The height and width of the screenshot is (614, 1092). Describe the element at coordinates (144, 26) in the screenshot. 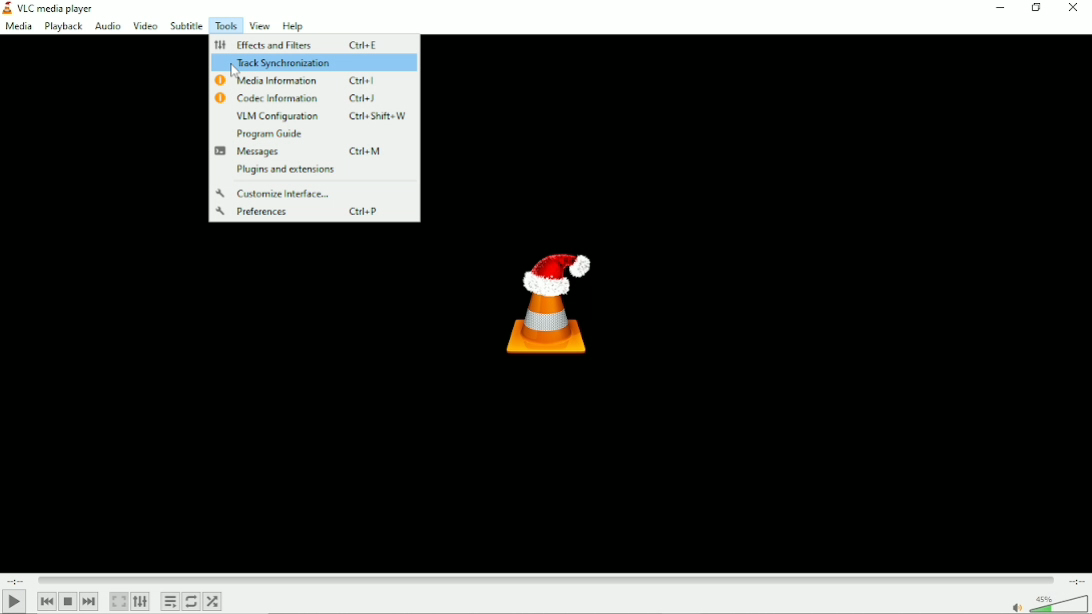

I see `Video` at that location.